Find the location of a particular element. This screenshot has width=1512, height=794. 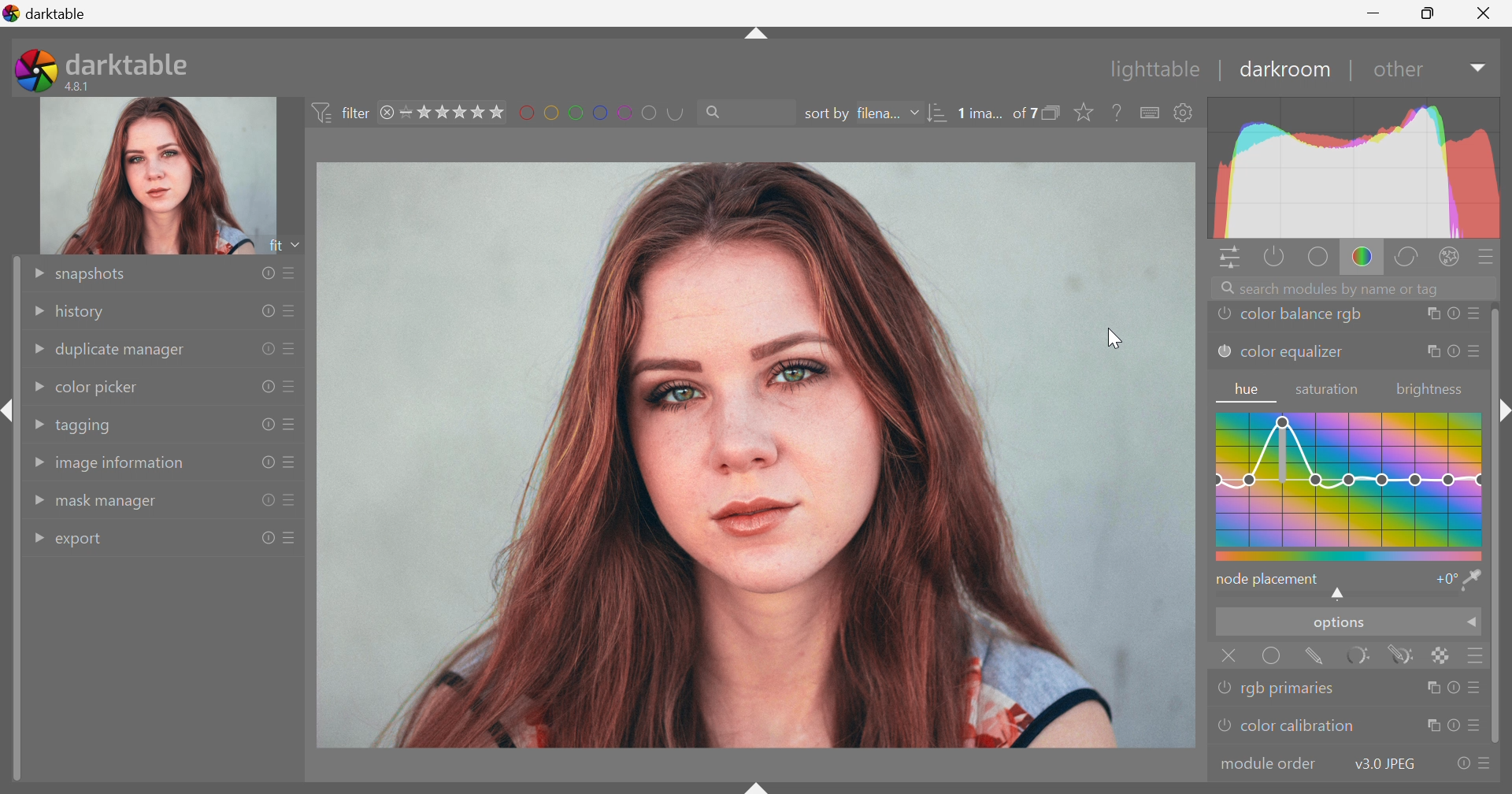

darktable is located at coordinates (59, 13).